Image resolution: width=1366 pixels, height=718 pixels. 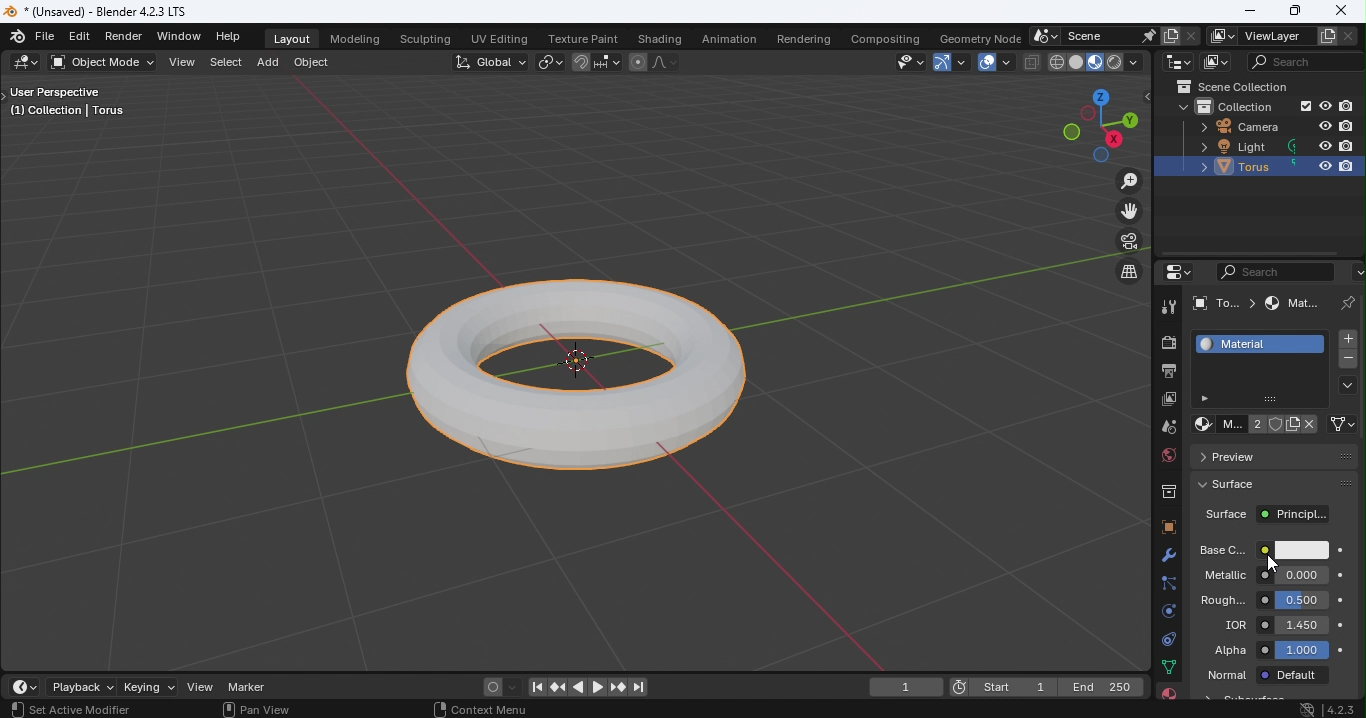 I want to click on Blender logo, so click(x=16, y=36).